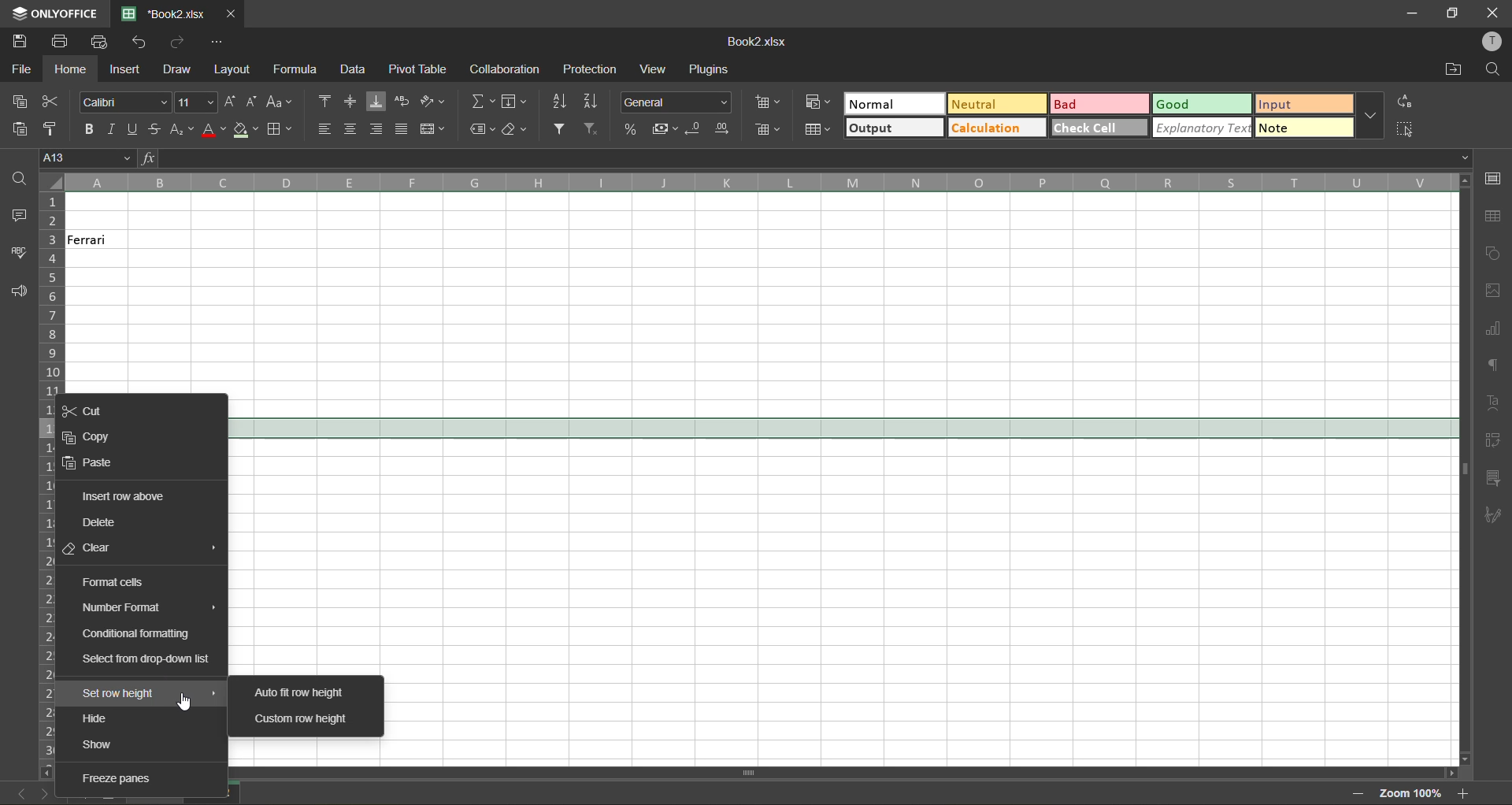 This screenshot has width=1512, height=805. Describe the element at coordinates (55, 13) in the screenshot. I see `app name` at that location.